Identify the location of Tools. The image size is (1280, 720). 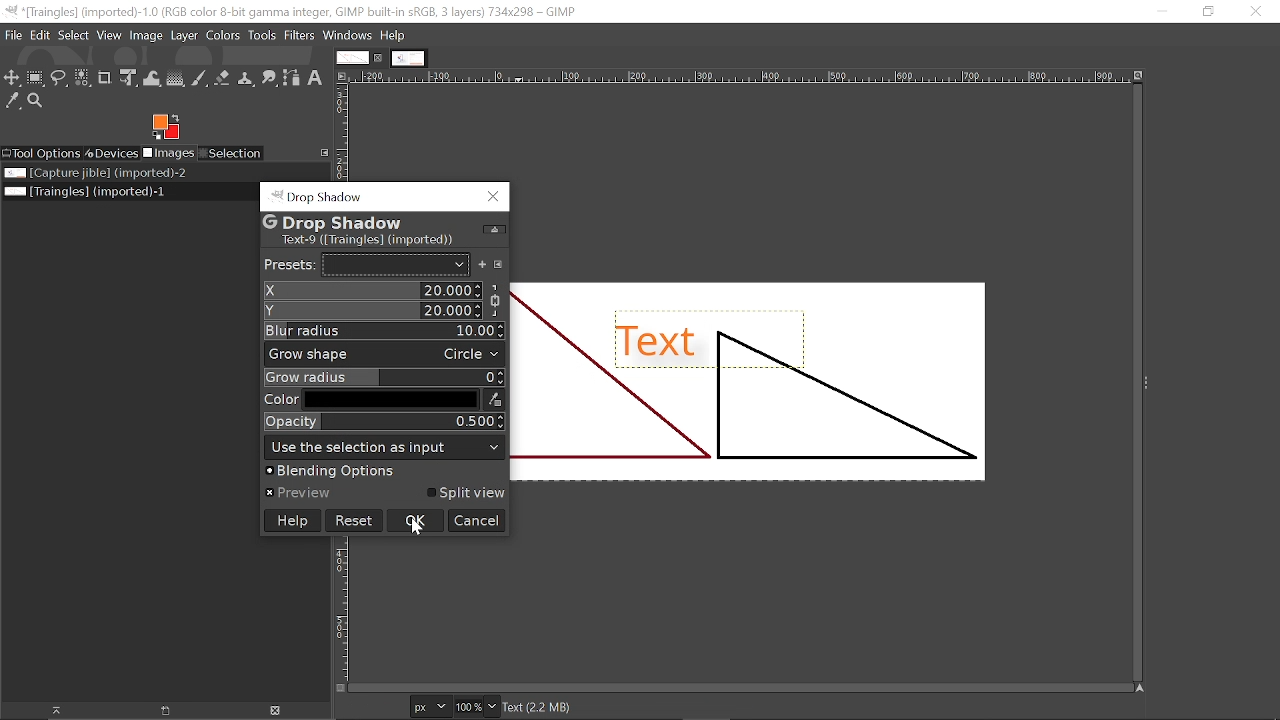
(262, 37).